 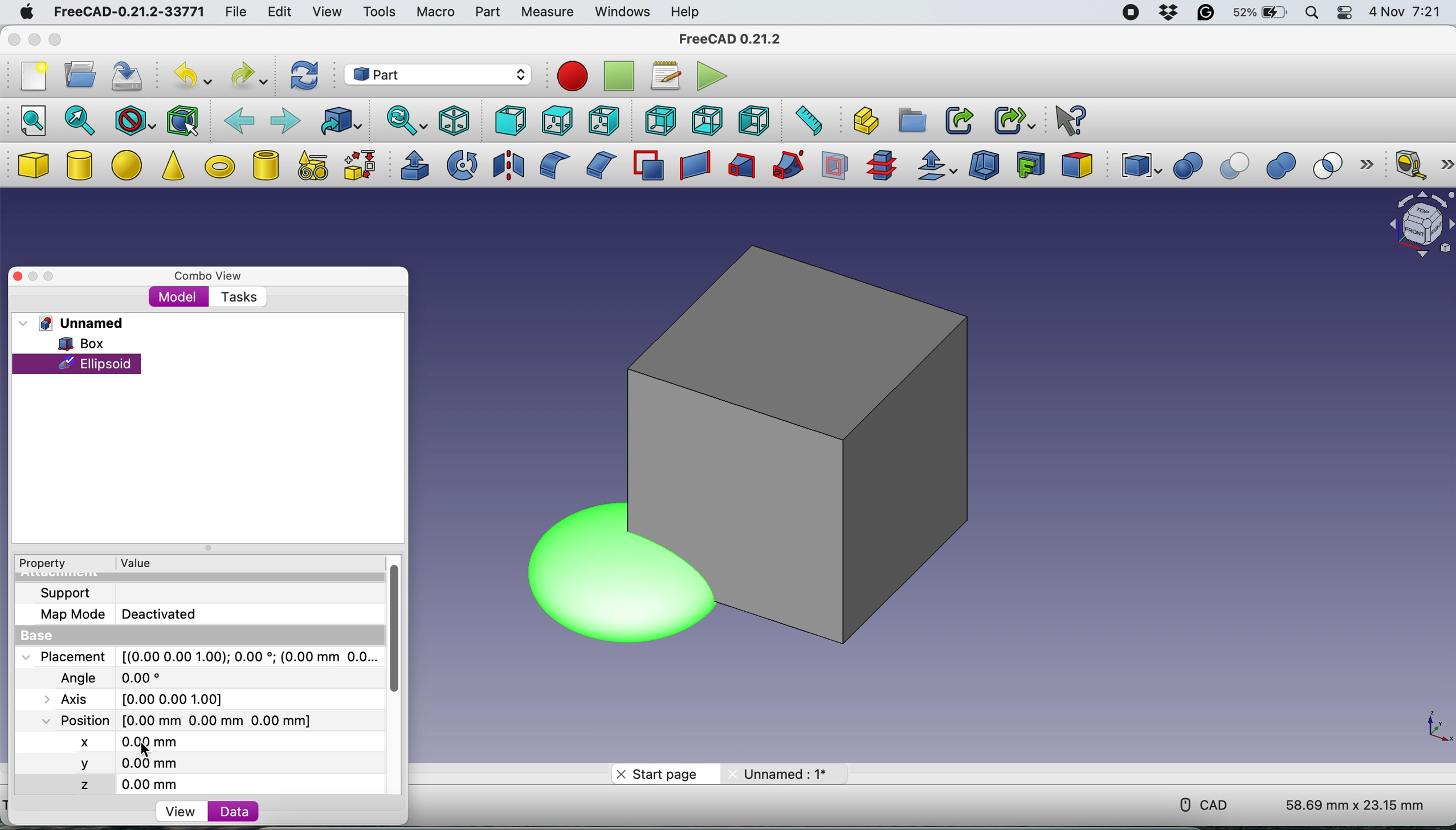 I want to click on extrude, so click(x=411, y=165).